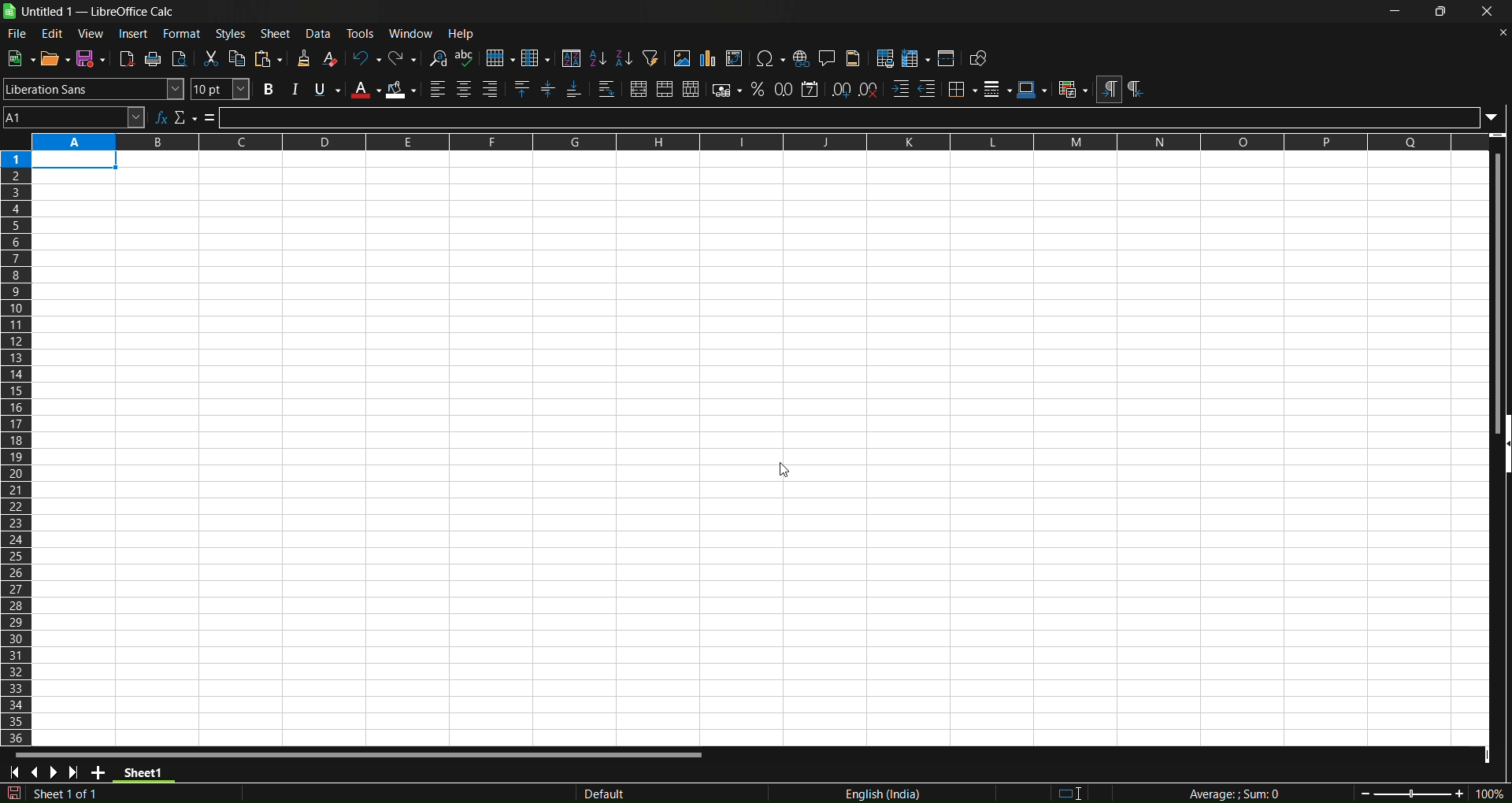 This screenshot has height=803, width=1512. I want to click on view, so click(93, 33).